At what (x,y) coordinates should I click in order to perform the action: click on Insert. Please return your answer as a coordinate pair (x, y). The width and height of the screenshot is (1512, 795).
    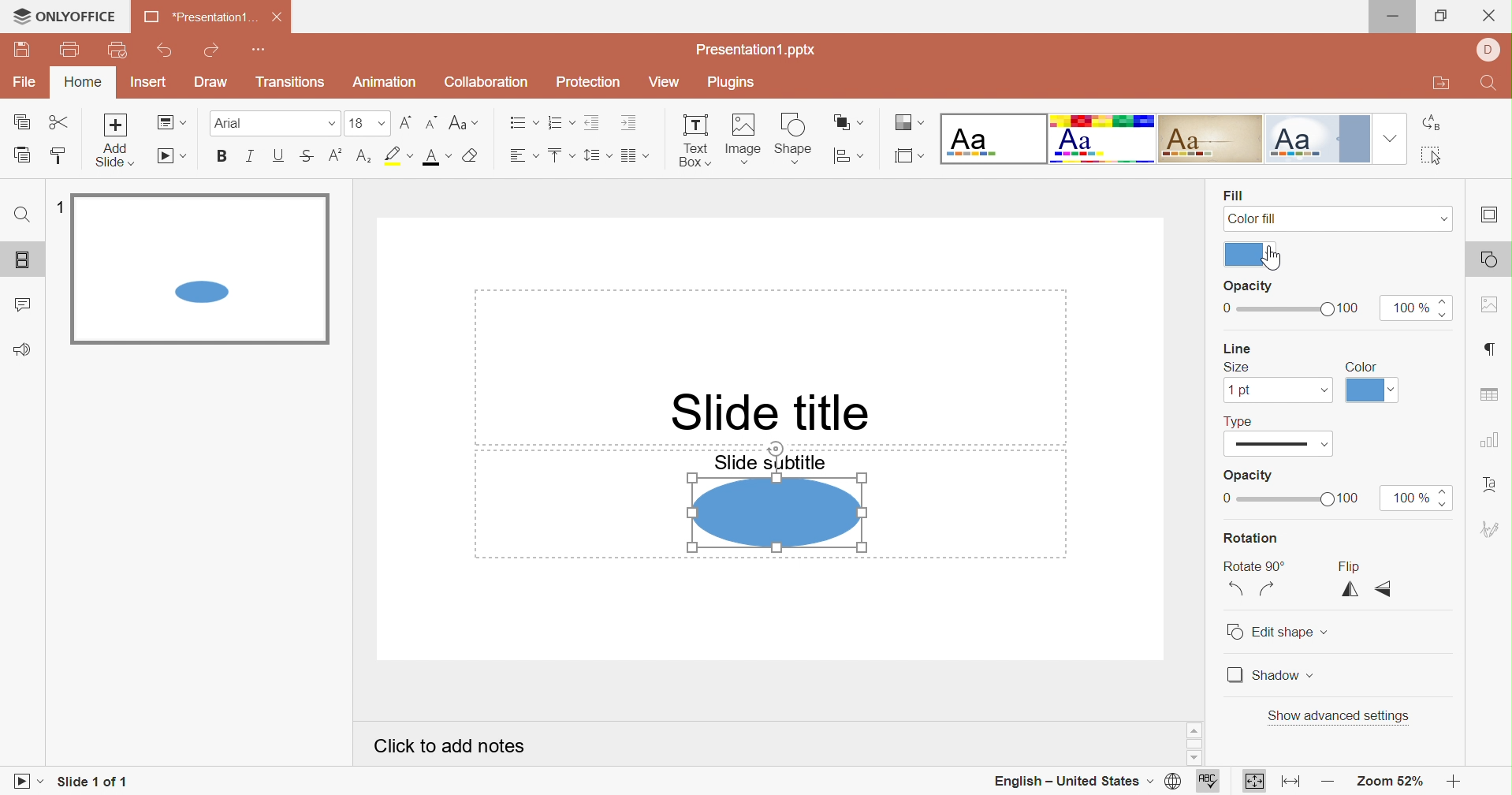
    Looking at the image, I should click on (153, 84).